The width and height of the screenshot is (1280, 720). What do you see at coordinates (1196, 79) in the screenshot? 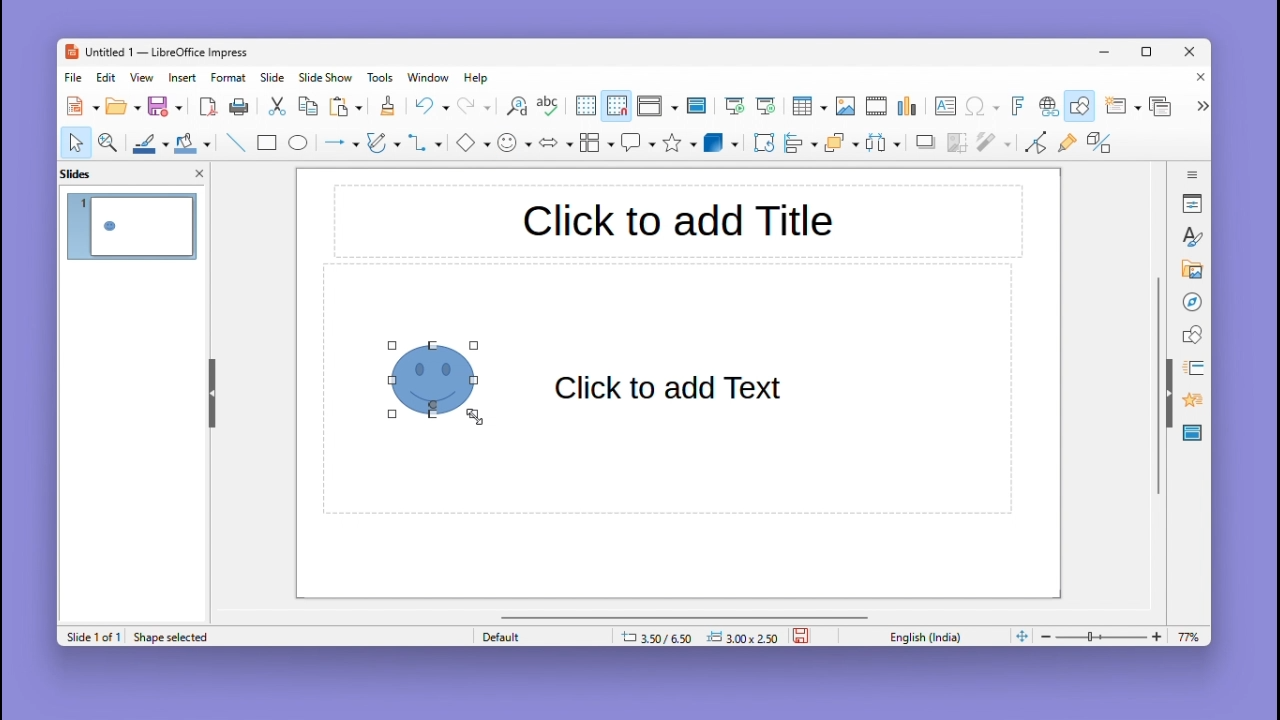
I see `Close` at bounding box center [1196, 79].